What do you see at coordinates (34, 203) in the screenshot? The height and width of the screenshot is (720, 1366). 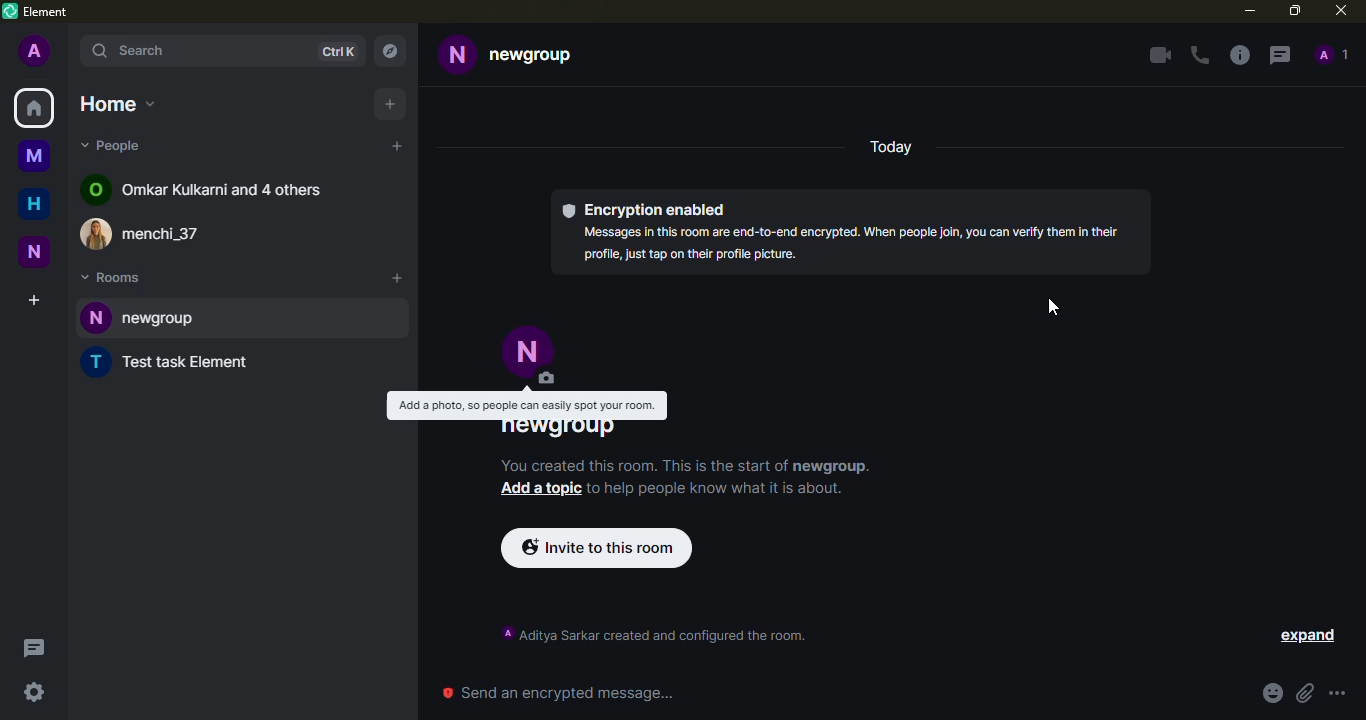 I see `home` at bounding box center [34, 203].